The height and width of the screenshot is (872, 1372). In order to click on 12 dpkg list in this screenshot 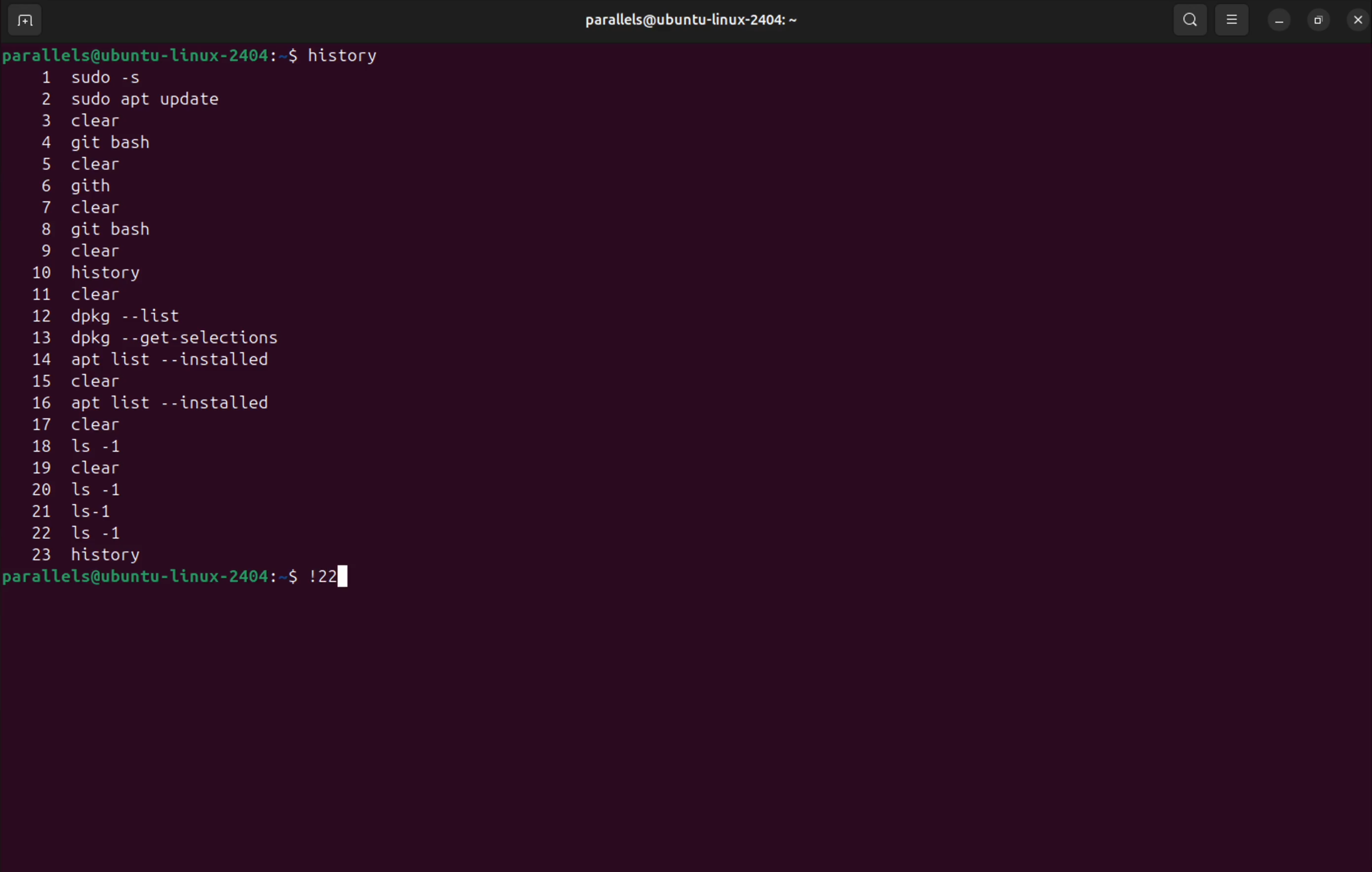, I will do `click(161, 318)`.